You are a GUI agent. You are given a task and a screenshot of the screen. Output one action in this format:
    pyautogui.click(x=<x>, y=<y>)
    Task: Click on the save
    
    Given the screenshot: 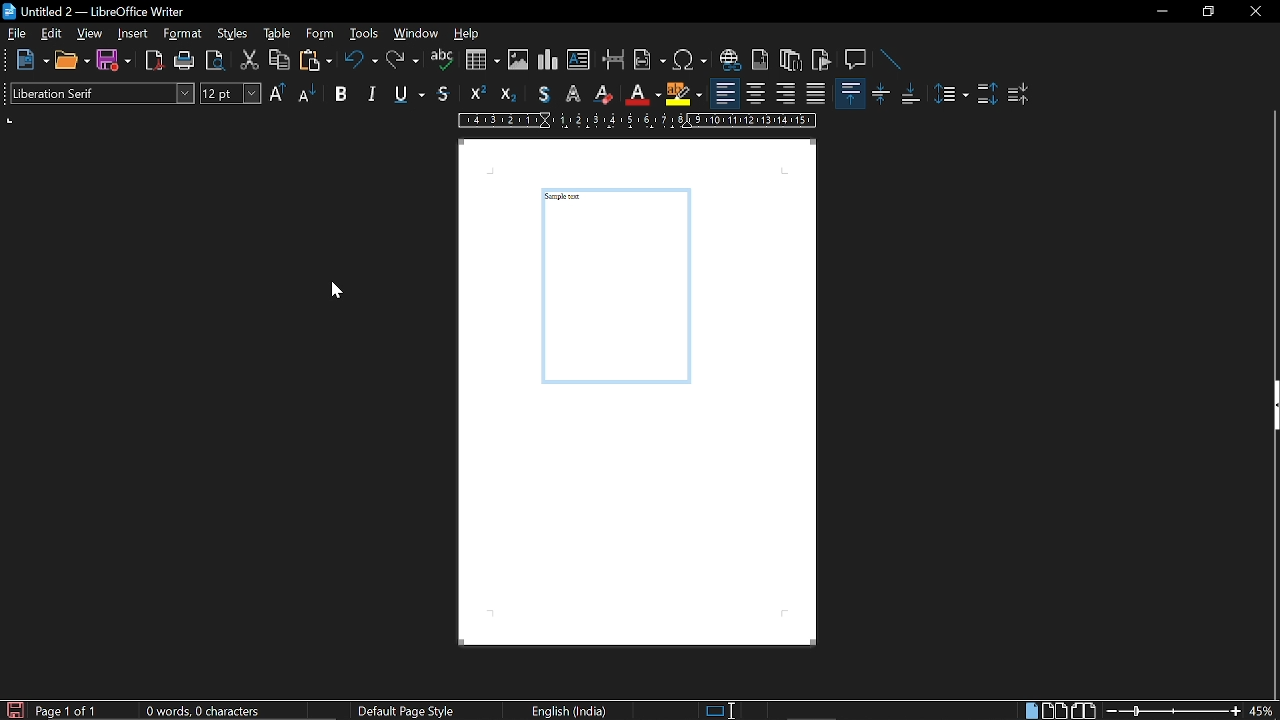 What is the action you would take?
    pyautogui.click(x=14, y=709)
    